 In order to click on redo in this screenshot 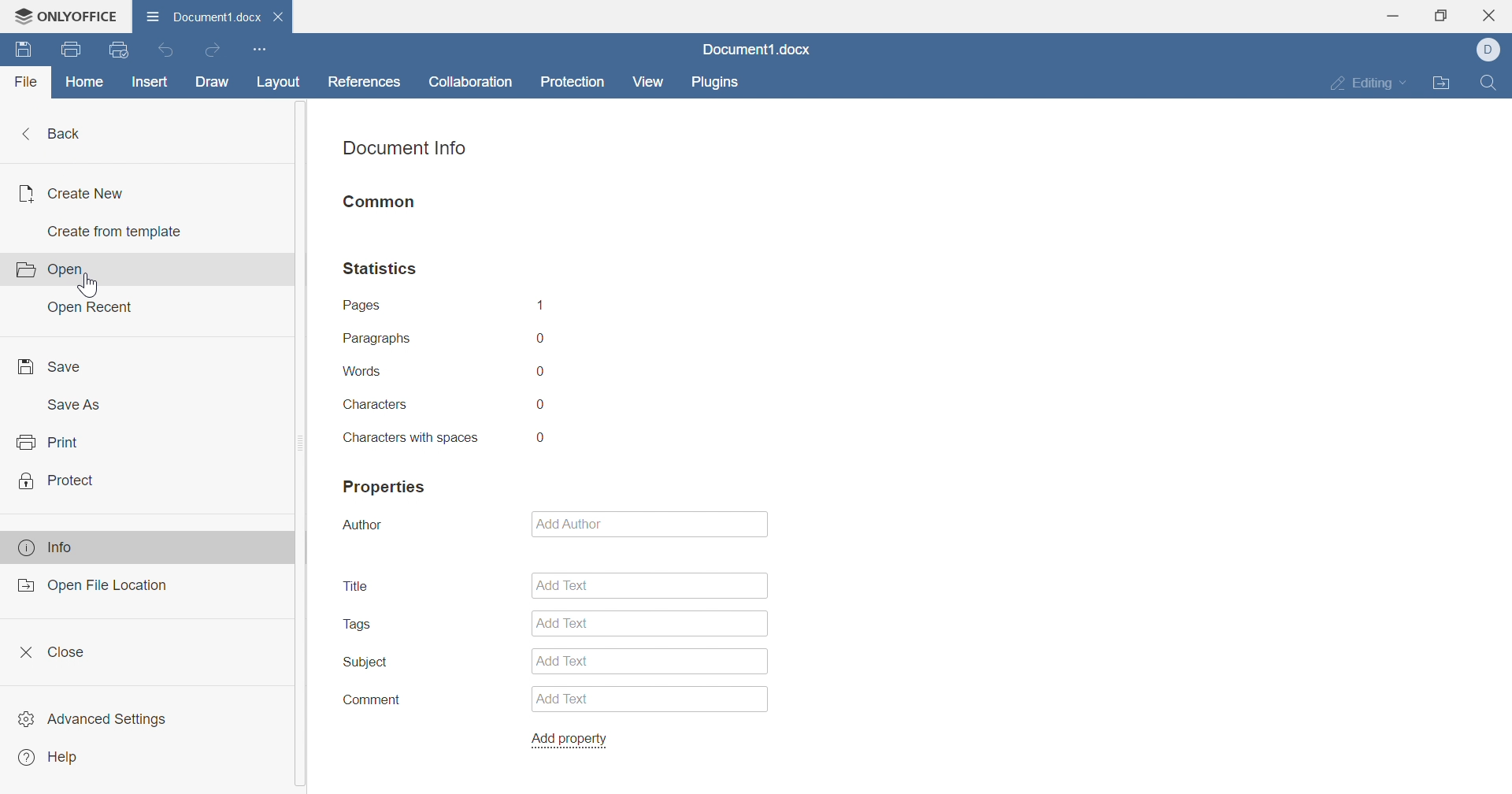, I will do `click(213, 49)`.